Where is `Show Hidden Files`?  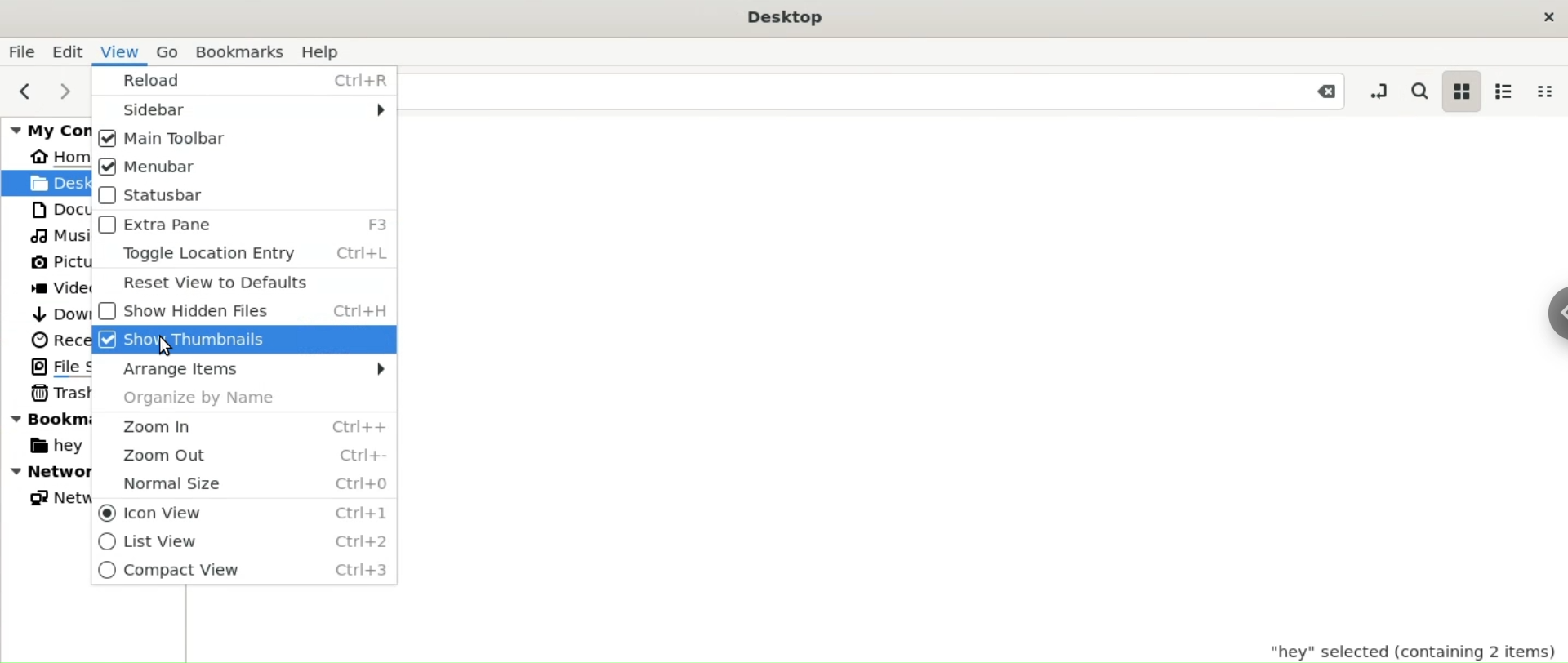
Show Hidden Files is located at coordinates (243, 307).